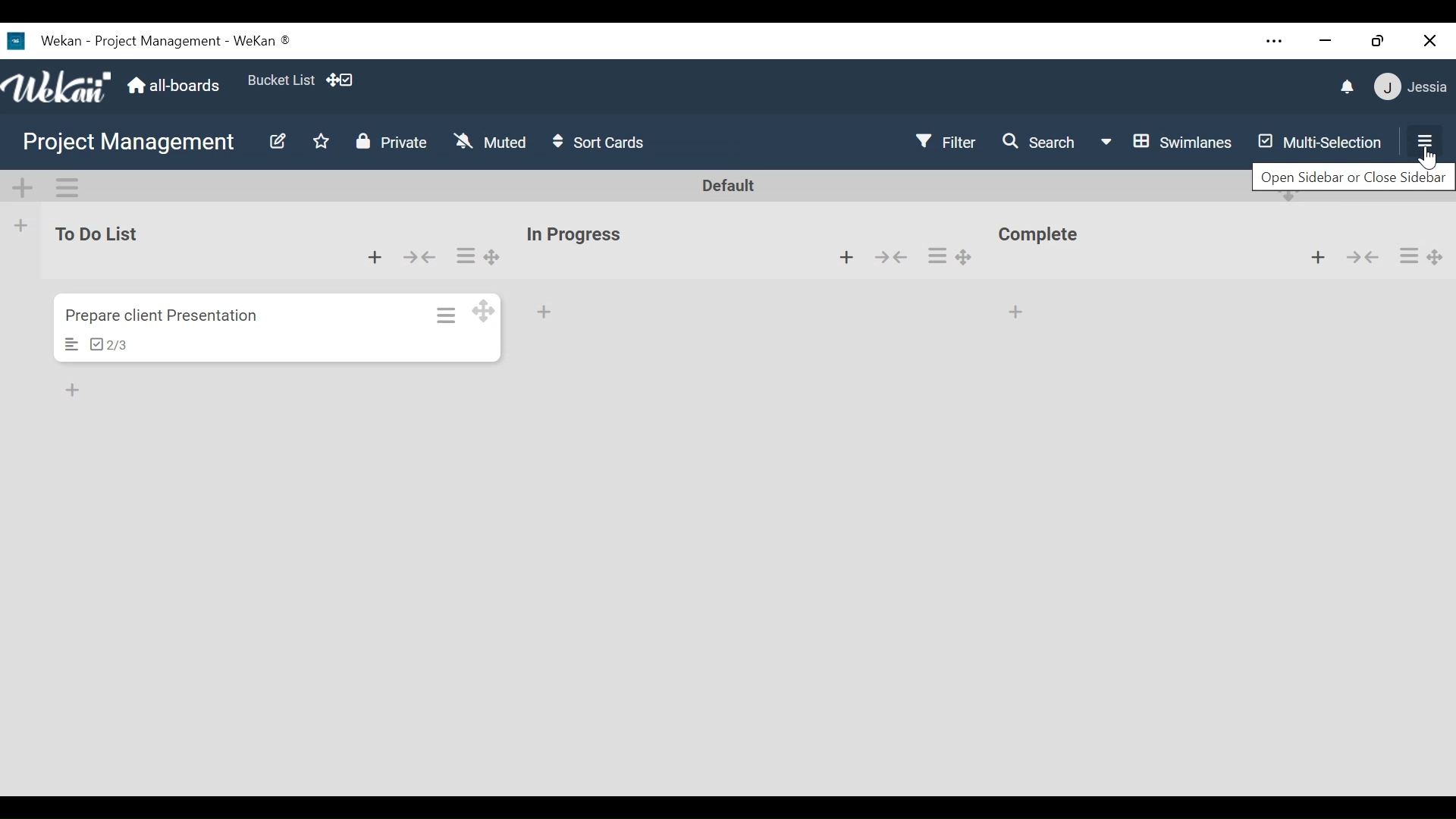 The height and width of the screenshot is (819, 1456). What do you see at coordinates (174, 86) in the screenshot?
I see `all boards` at bounding box center [174, 86].